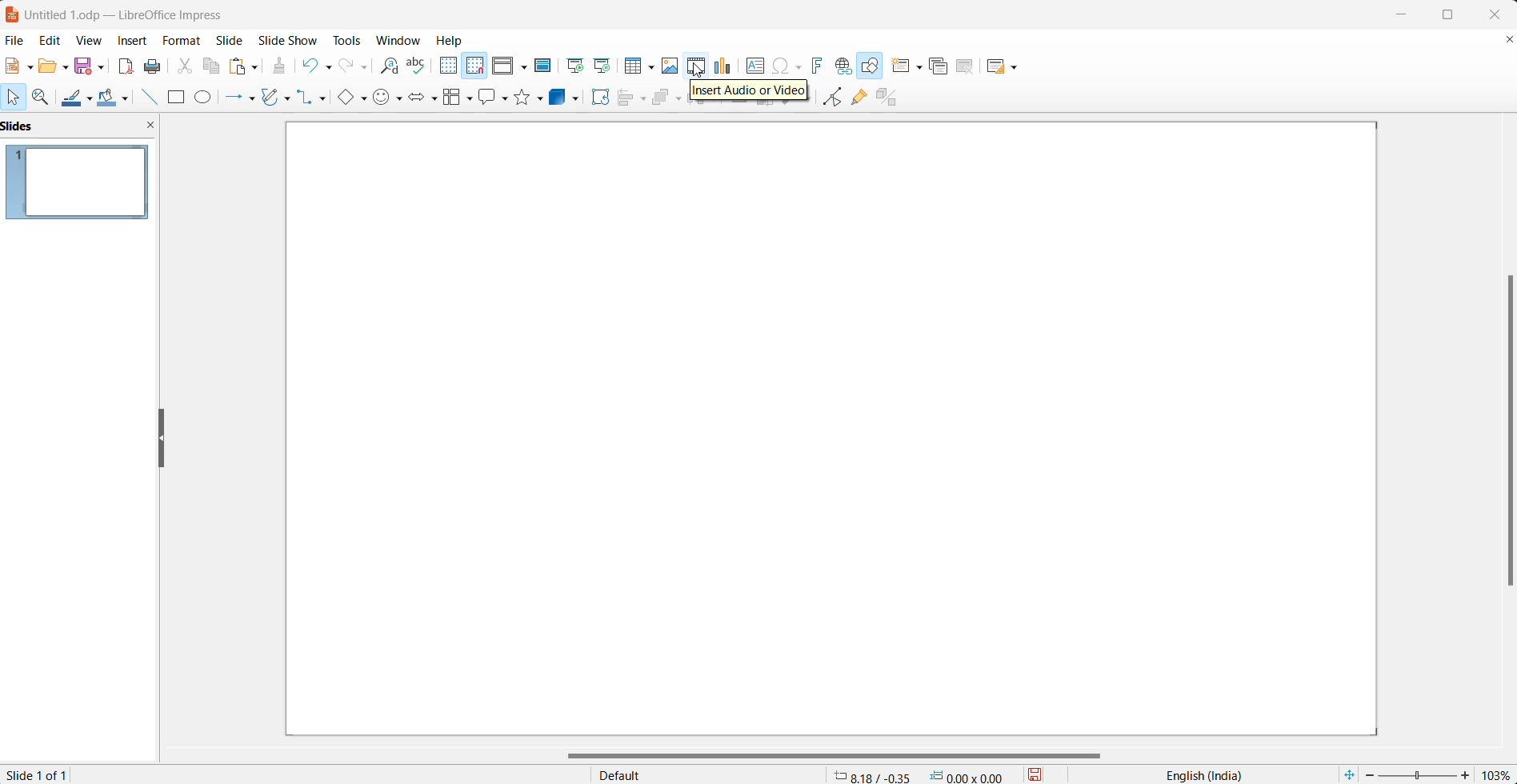 Image resolution: width=1517 pixels, height=784 pixels. What do you see at coordinates (345, 40) in the screenshot?
I see `tools` at bounding box center [345, 40].